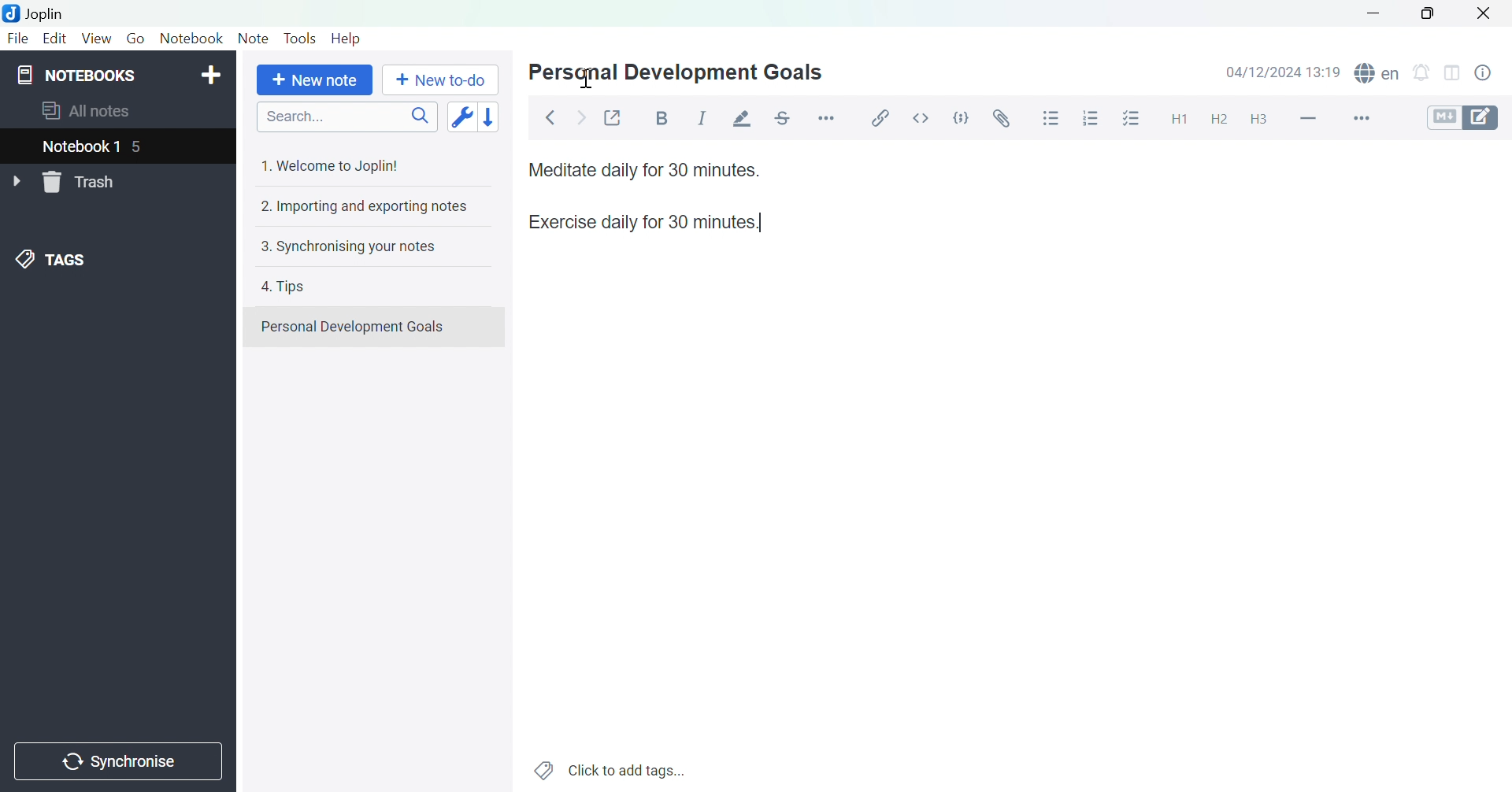  What do you see at coordinates (54, 38) in the screenshot?
I see `Edit` at bounding box center [54, 38].